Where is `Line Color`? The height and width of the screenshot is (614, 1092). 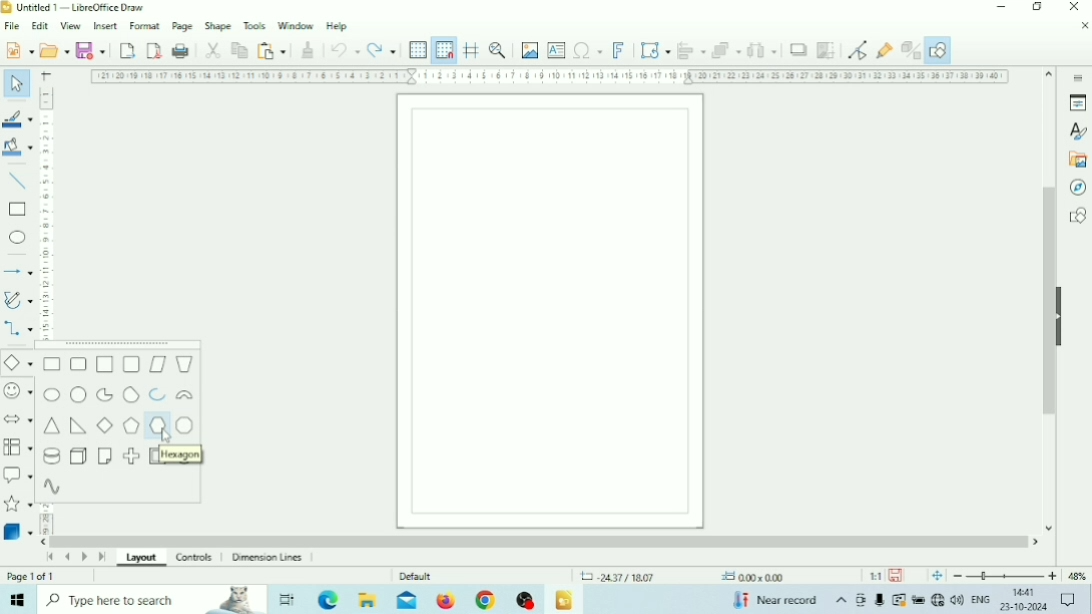
Line Color is located at coordinates (18, 119).